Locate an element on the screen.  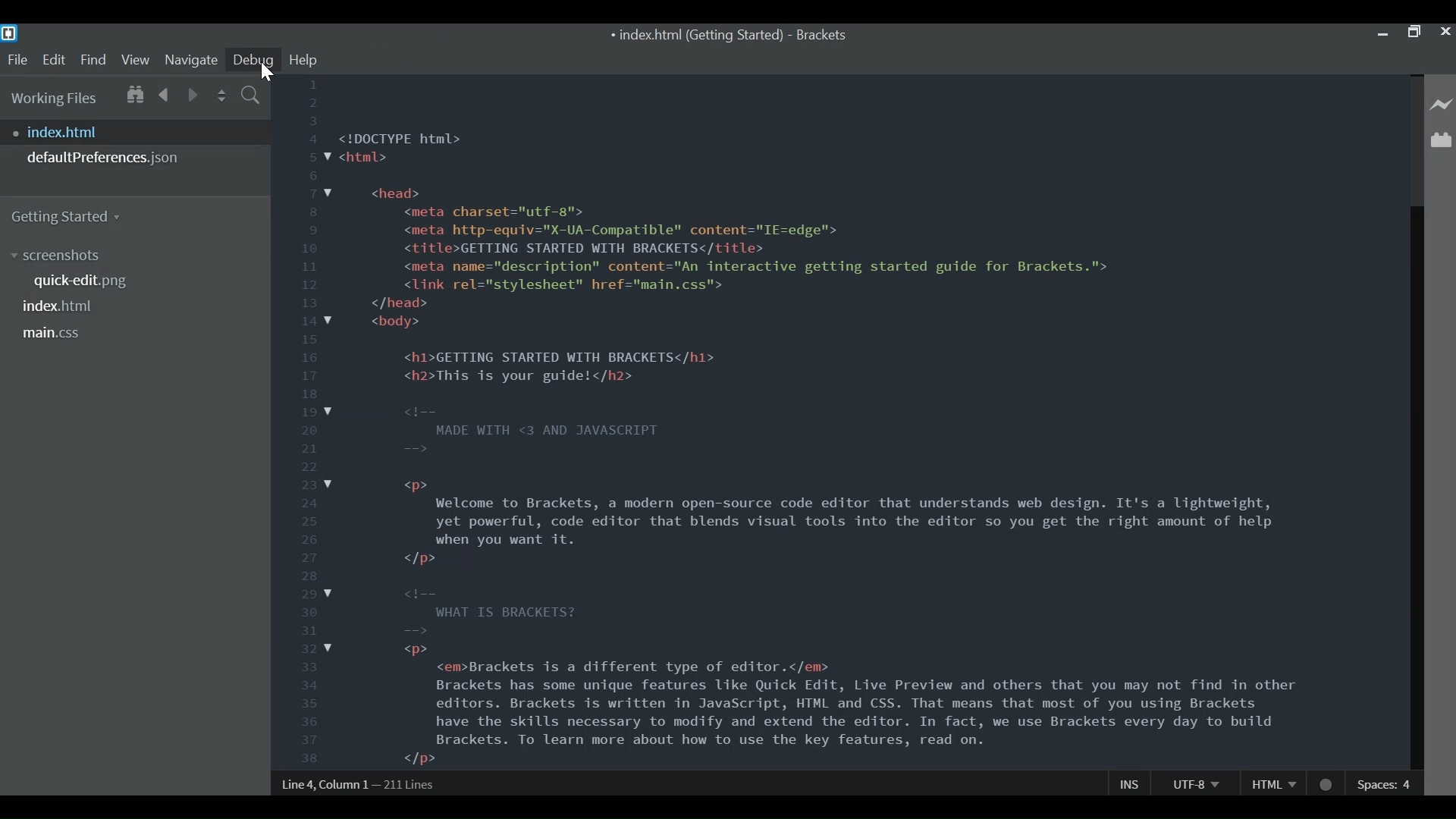
Restore is located at coordinates (1413, 33).